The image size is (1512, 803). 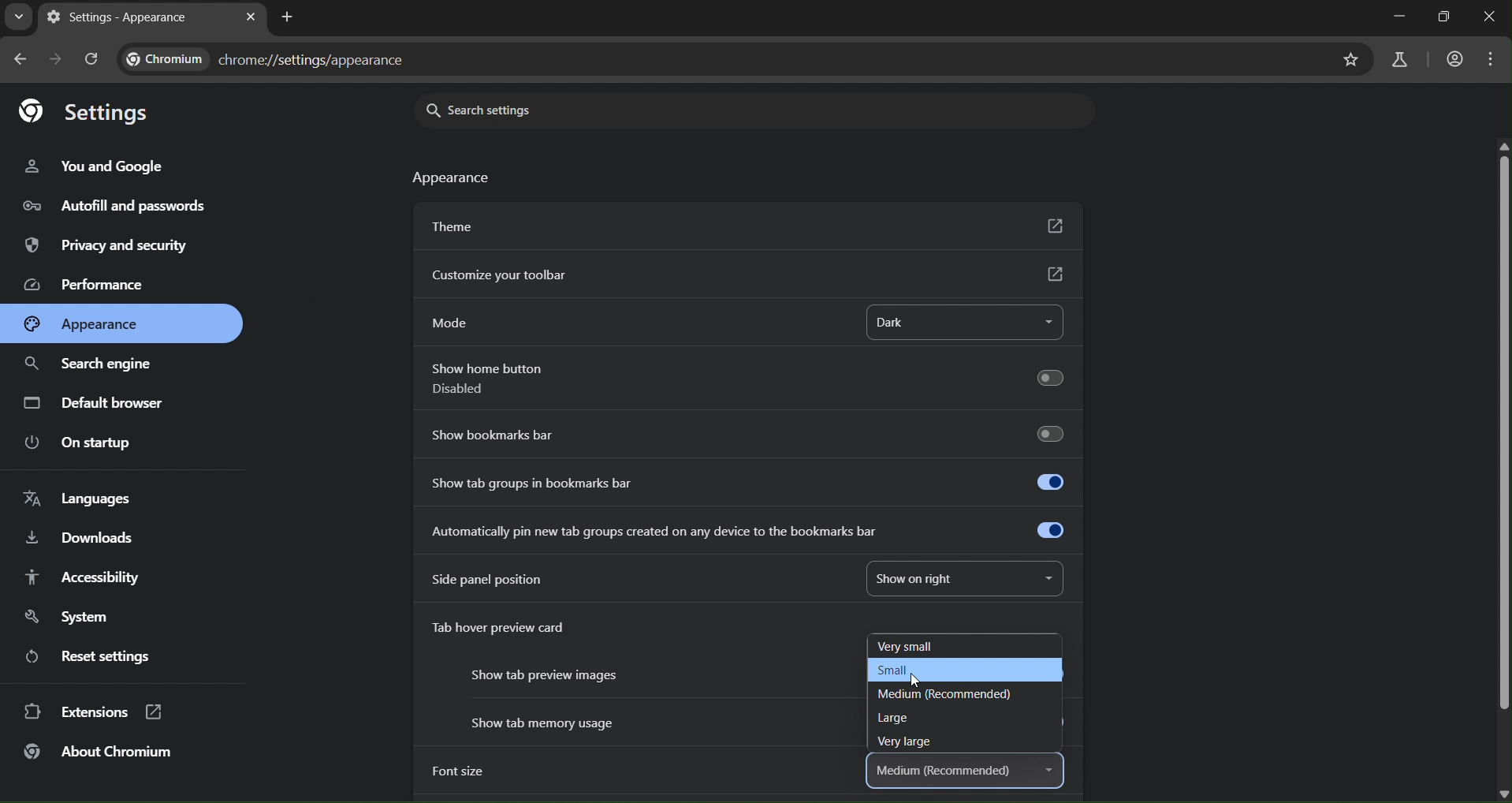 I want to click on theme, so click(x=747, y=226).